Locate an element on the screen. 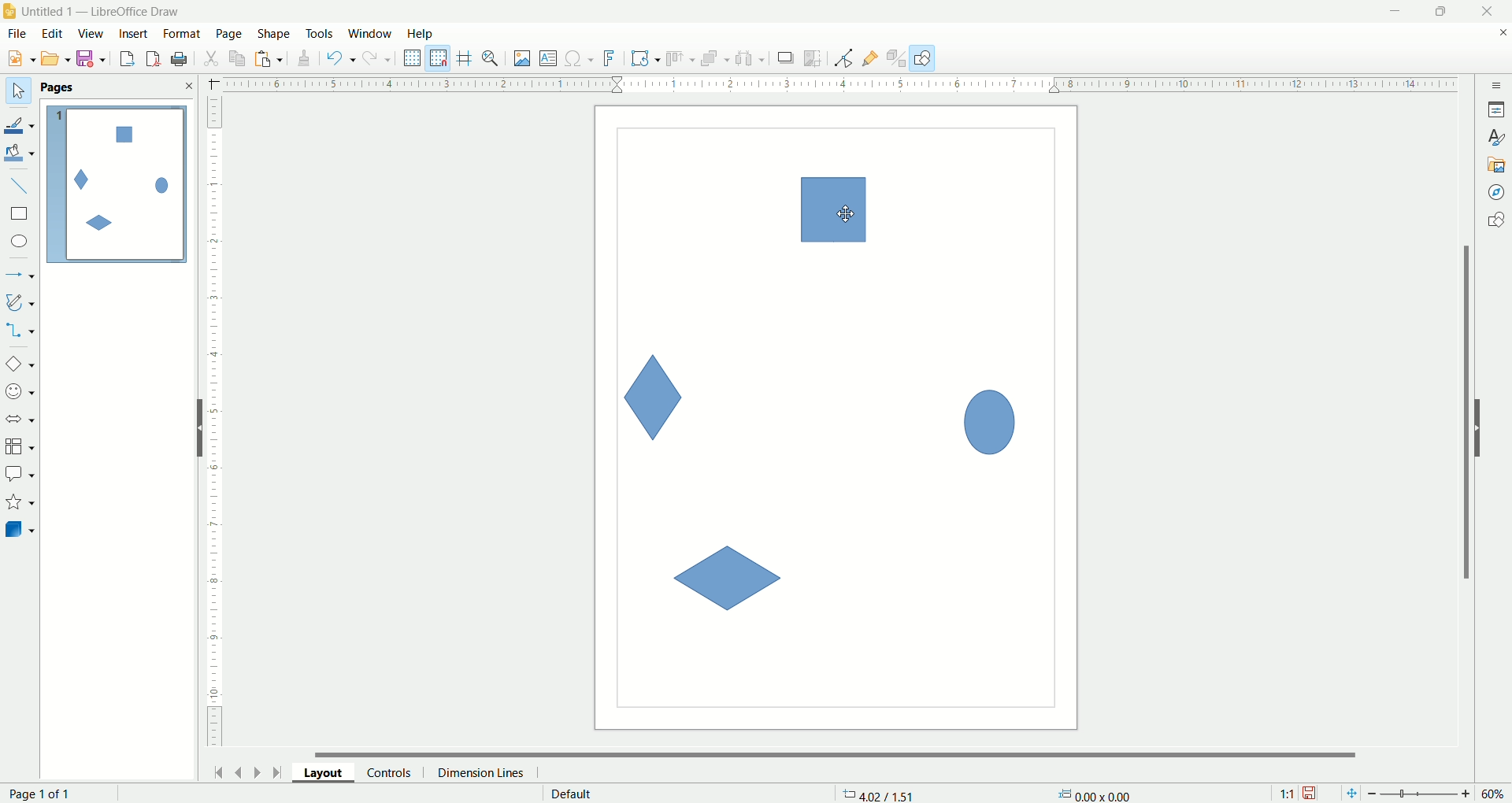 This screenshot has height=803, width=1512. anchor point is located at coordinates (1092, 794).